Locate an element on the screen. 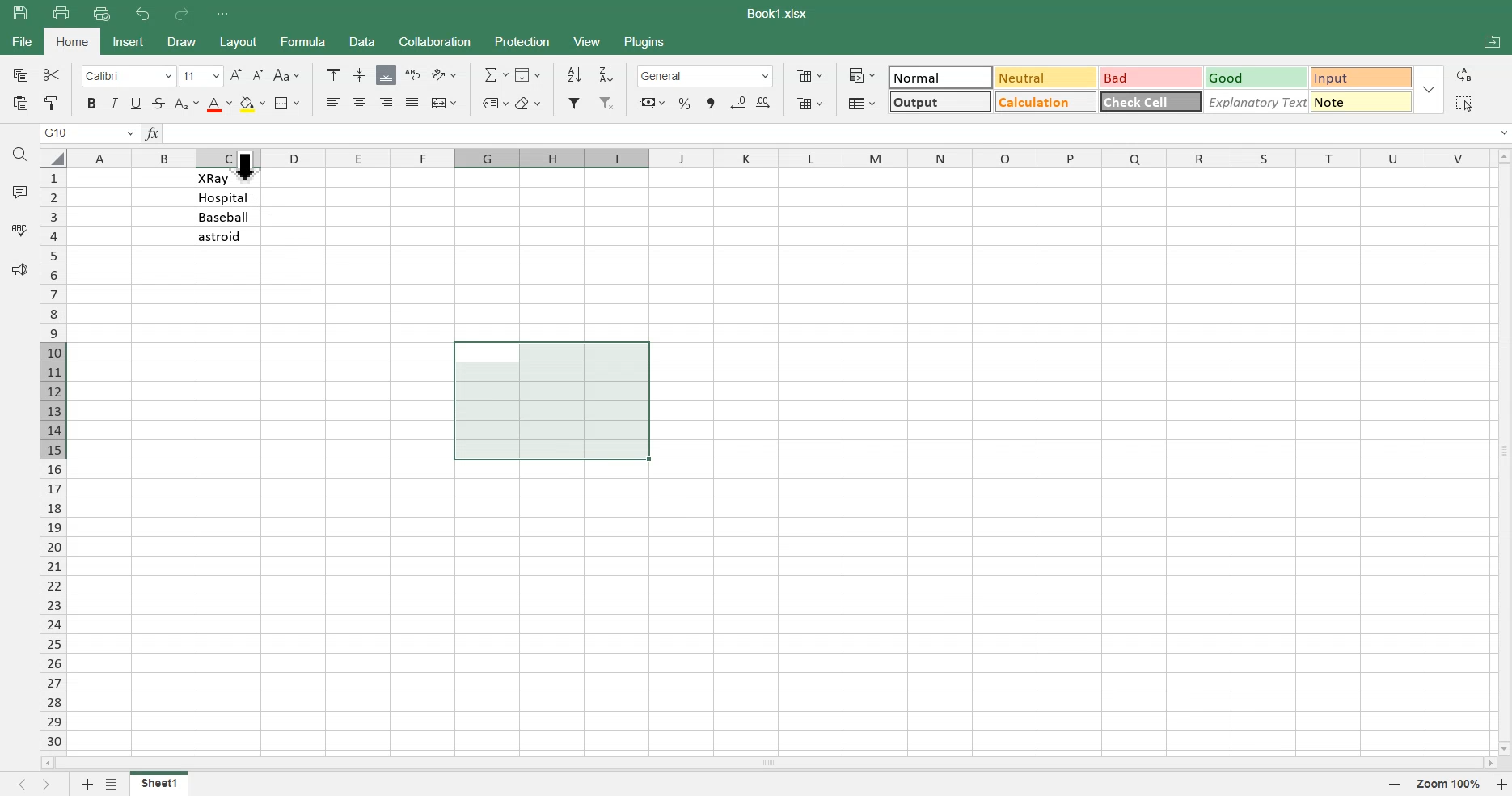 The width and height of the screenshot is (1512, 796). Output is located at coordinates (938, 100).